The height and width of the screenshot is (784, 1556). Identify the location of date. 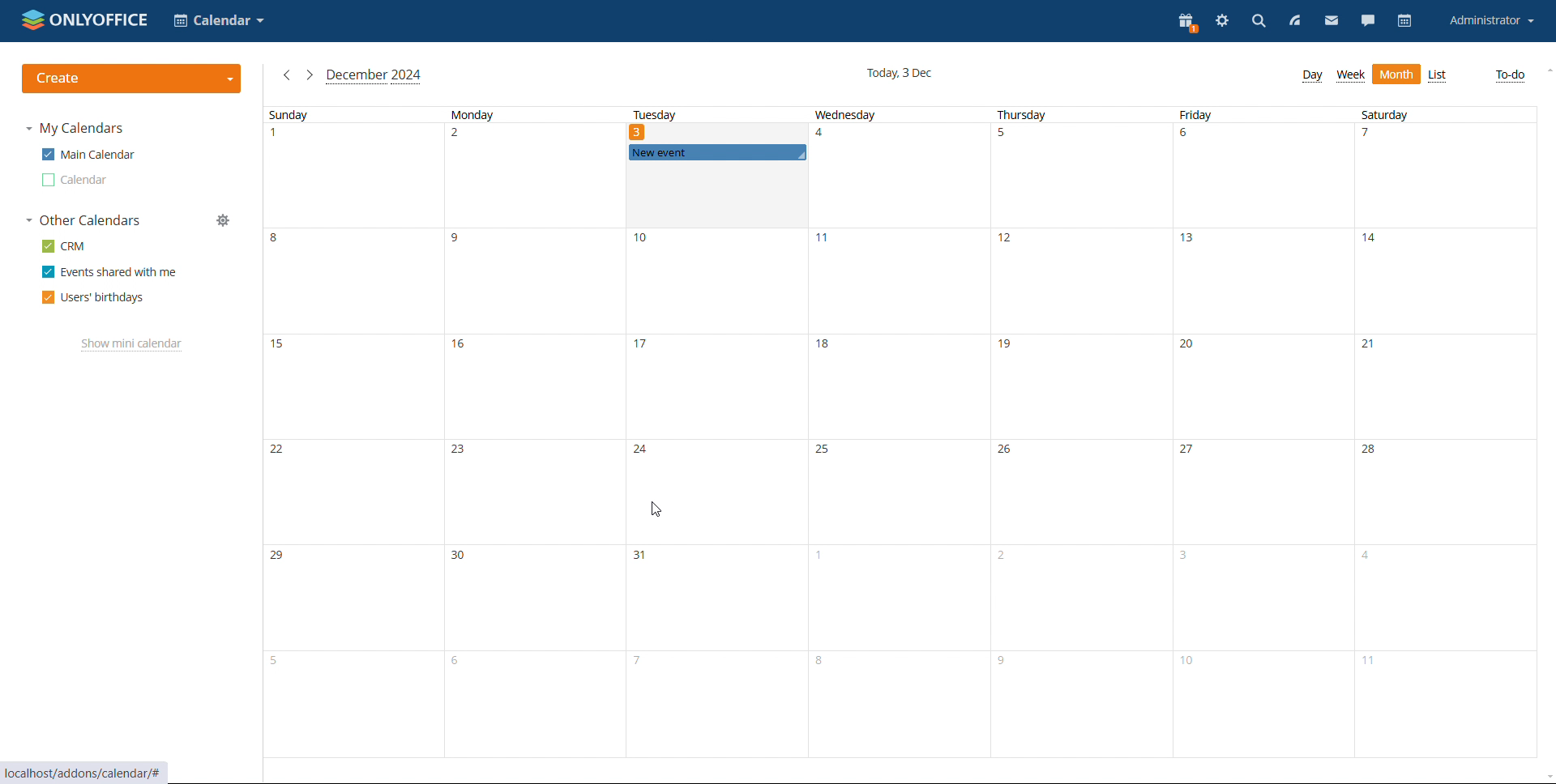
(352, 387).